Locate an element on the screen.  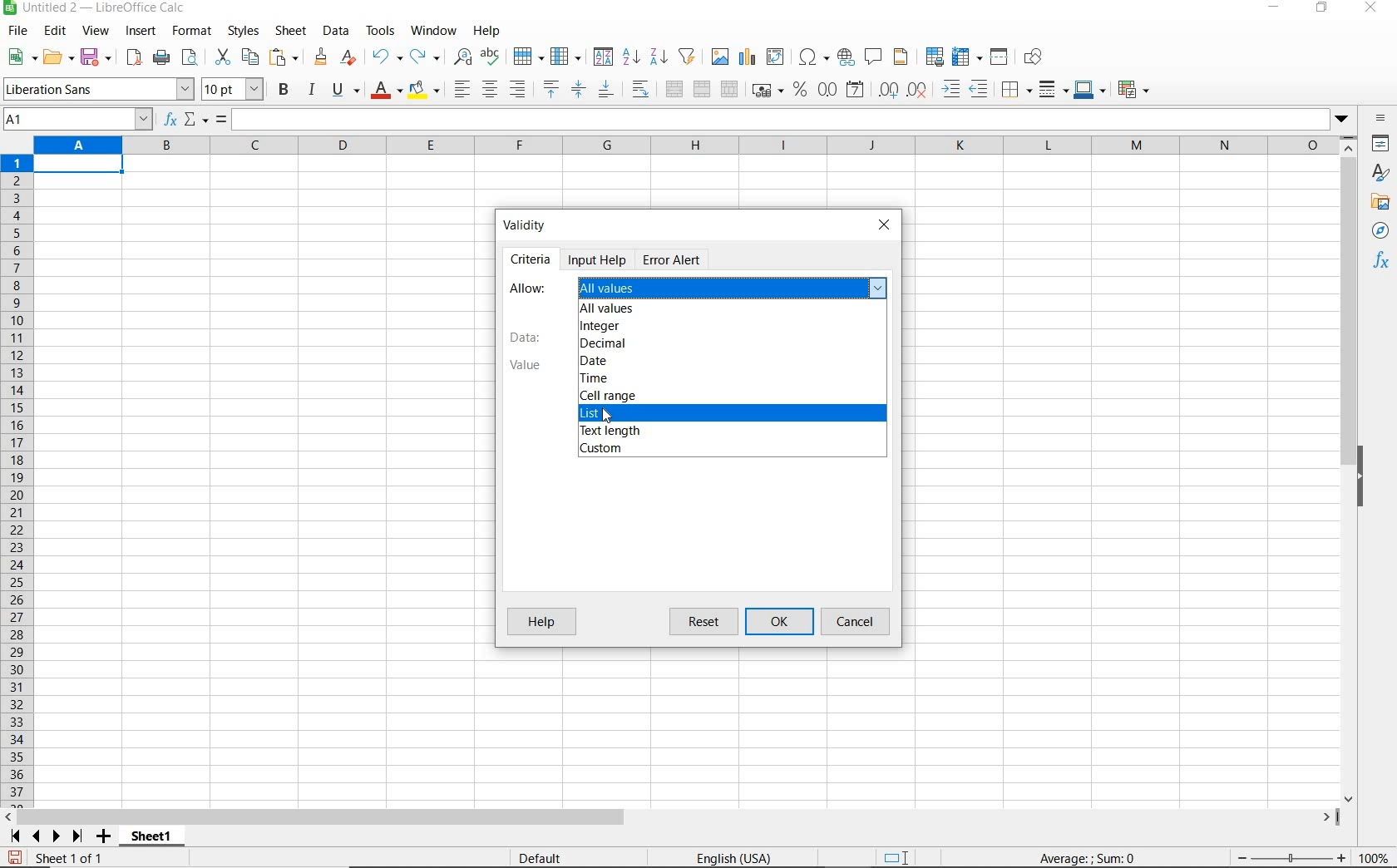
insert chart is located at coordinates (748, 57).